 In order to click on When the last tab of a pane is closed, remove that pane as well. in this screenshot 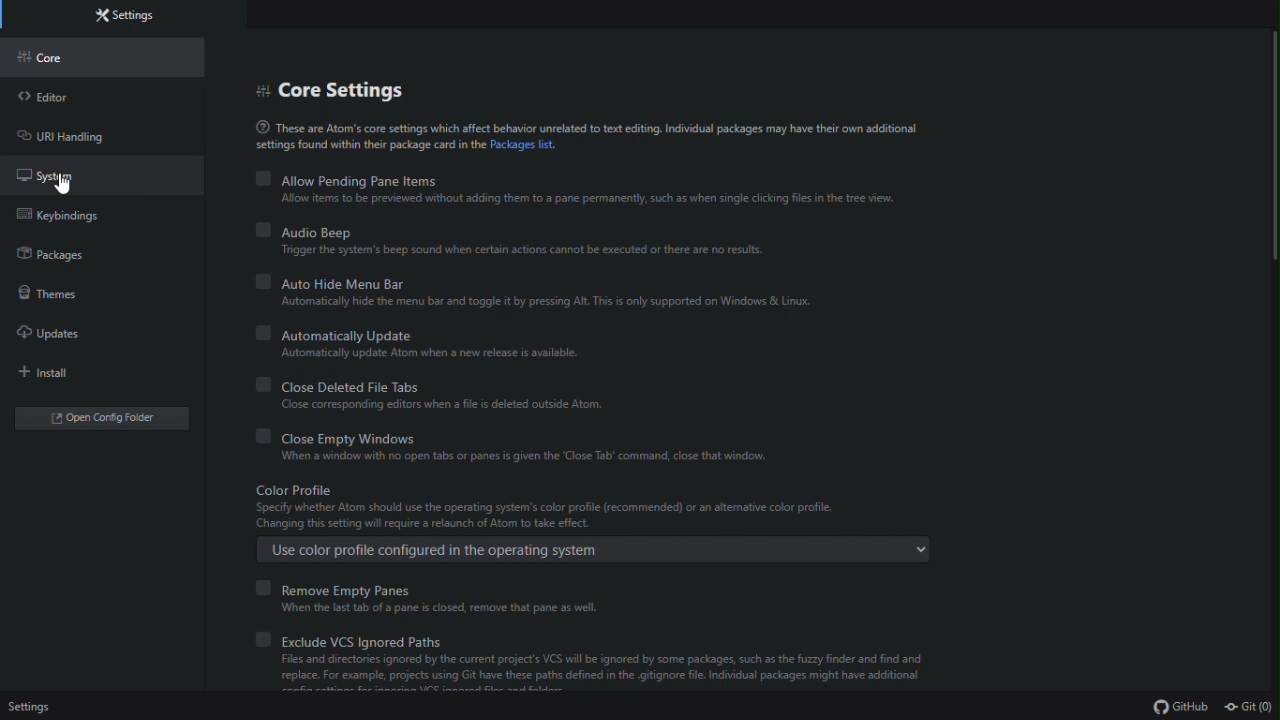, I will do `click(440, 610)`.